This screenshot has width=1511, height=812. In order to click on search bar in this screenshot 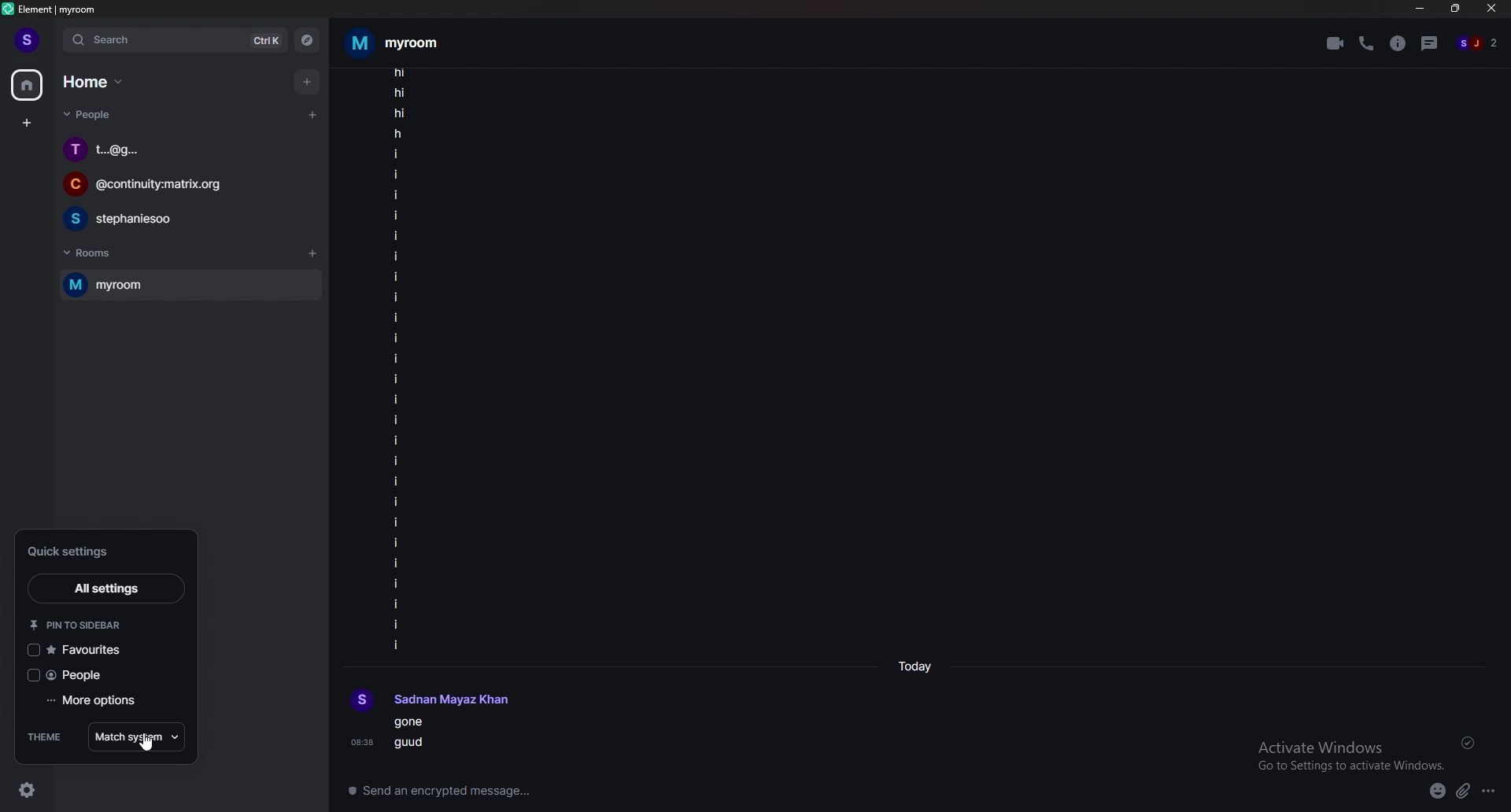, I will do `click(175, 40)`.